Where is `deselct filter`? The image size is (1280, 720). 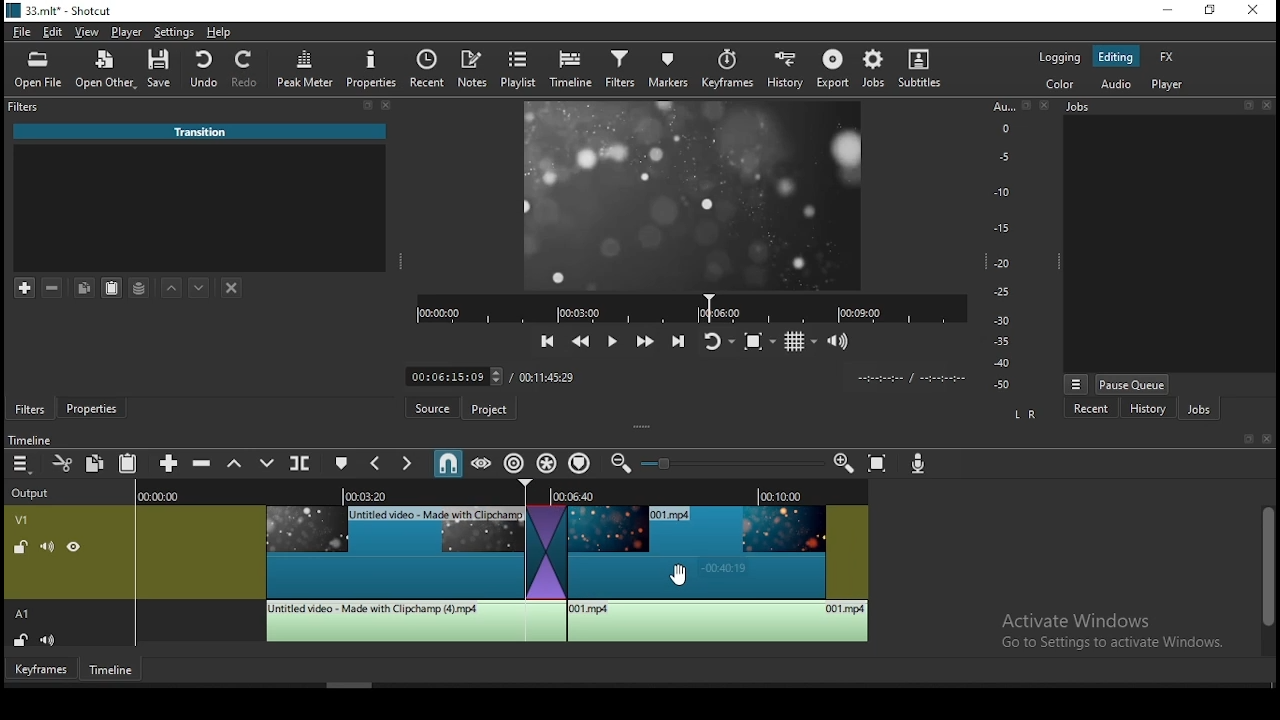
deselct filter is located at coordinates (232, 287).